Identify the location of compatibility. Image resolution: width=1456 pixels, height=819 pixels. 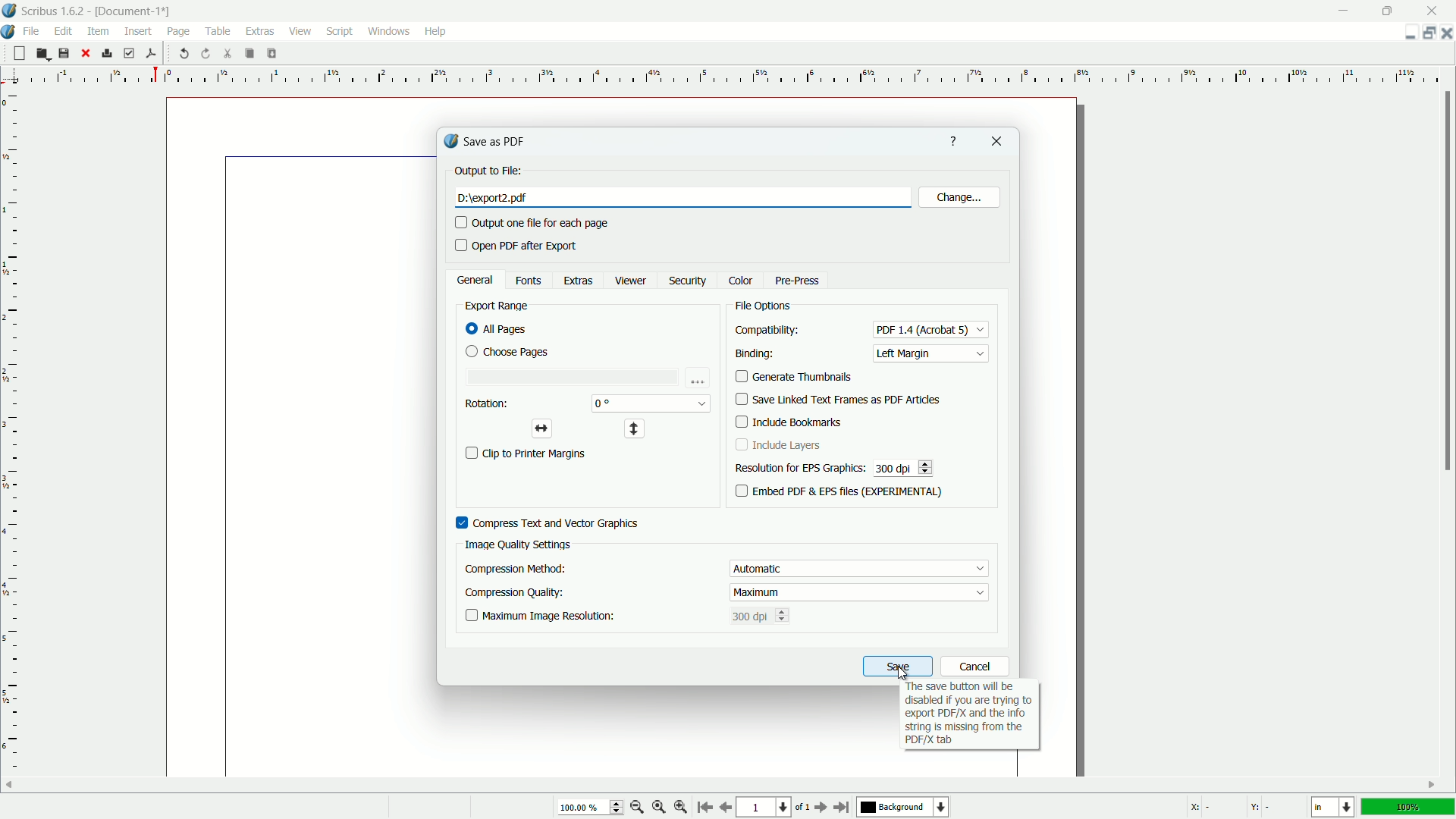
(767, 331).